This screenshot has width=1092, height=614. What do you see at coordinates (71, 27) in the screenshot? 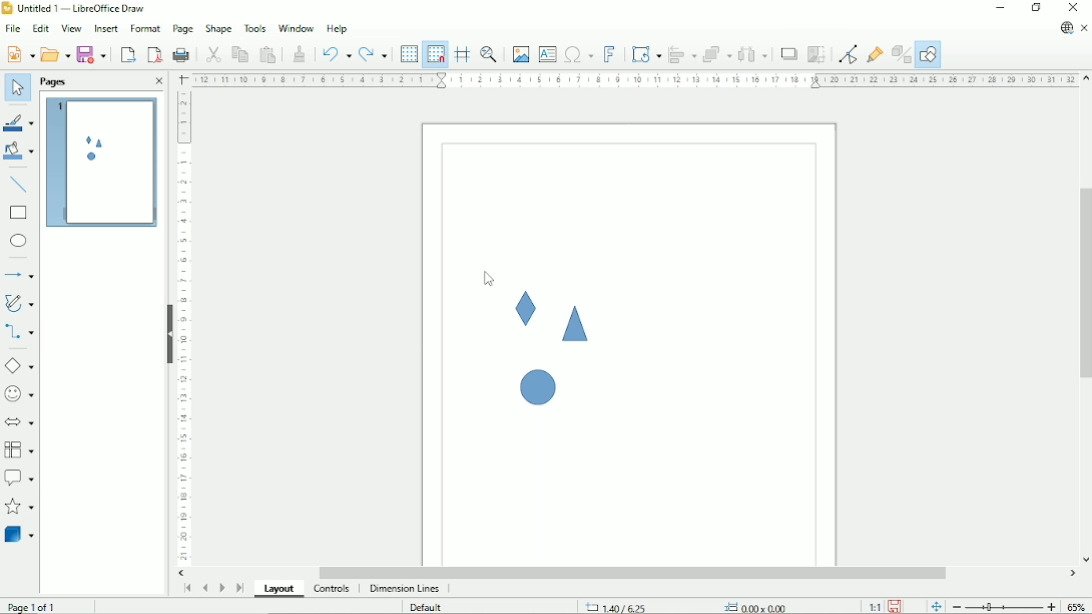
I see `View` at bounding box center [71, 27].